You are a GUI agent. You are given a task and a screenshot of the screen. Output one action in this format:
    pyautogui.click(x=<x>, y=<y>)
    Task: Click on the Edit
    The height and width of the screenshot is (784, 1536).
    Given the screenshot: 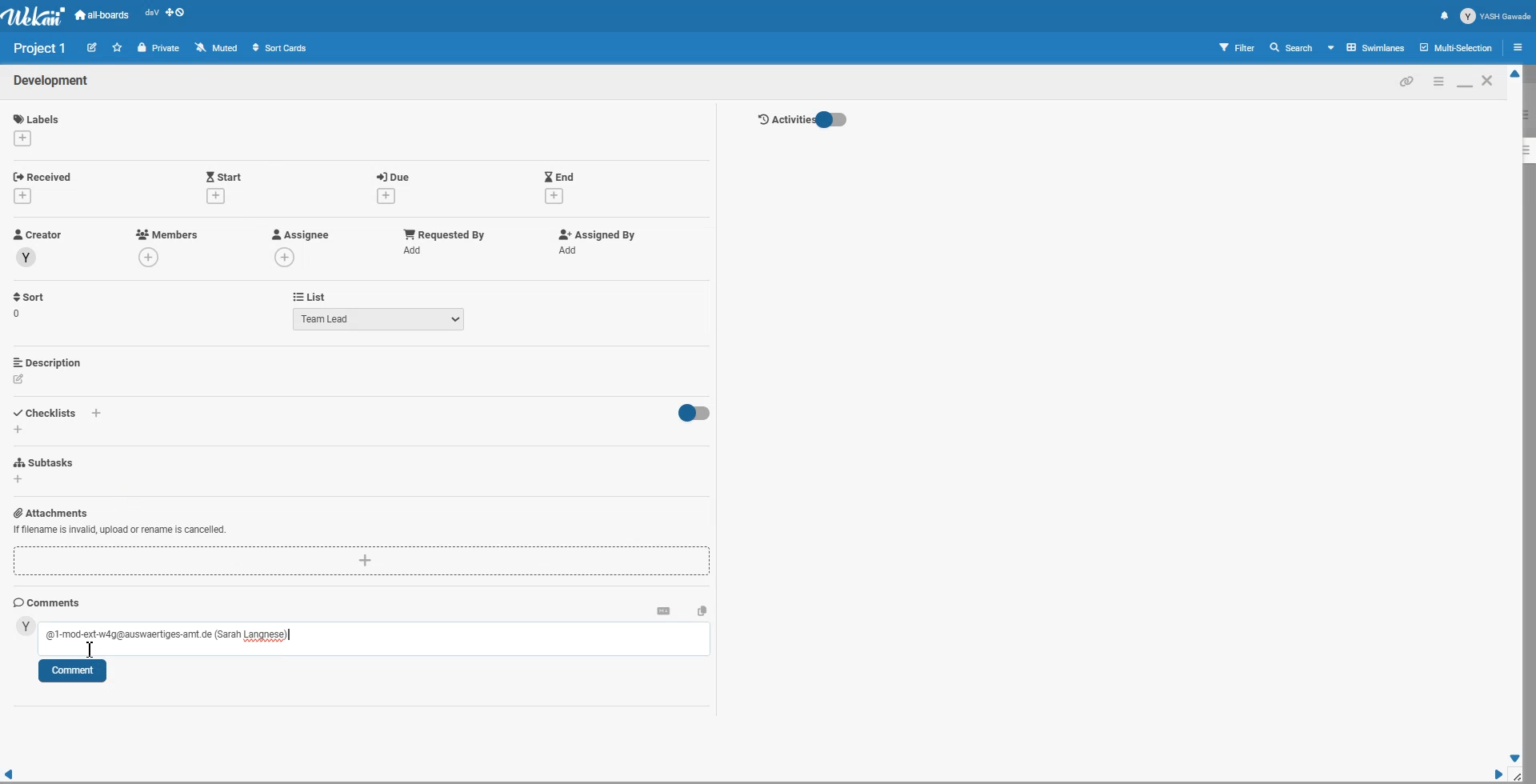 What is the action you would take?
    pyautogui.click(x=92, y=46)
    